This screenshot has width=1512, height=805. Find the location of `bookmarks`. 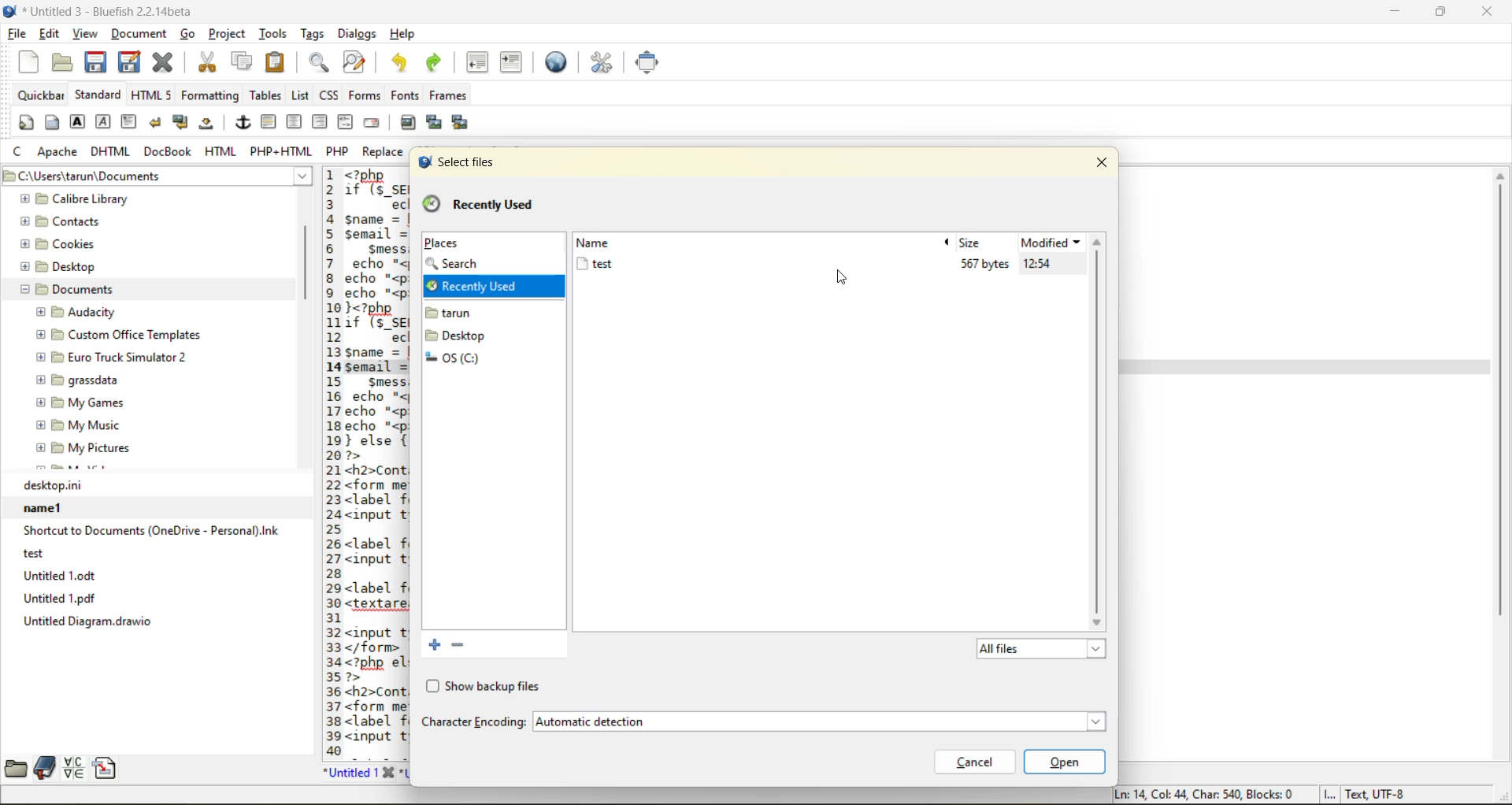

bookmarks is located at coordinates (43, 768).